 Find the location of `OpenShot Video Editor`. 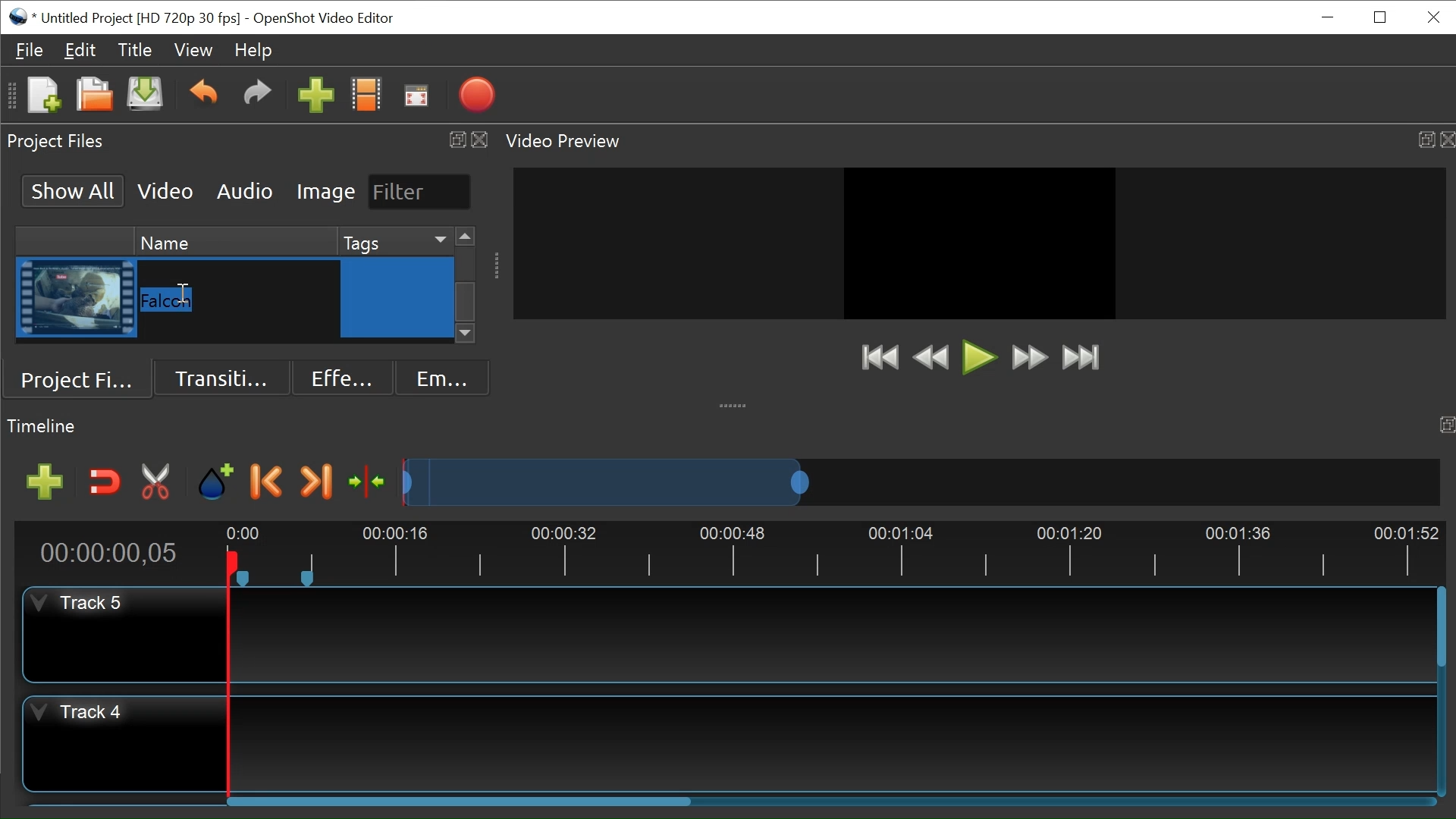

OpenShot Video Editor is located at coordinates (322, 18).